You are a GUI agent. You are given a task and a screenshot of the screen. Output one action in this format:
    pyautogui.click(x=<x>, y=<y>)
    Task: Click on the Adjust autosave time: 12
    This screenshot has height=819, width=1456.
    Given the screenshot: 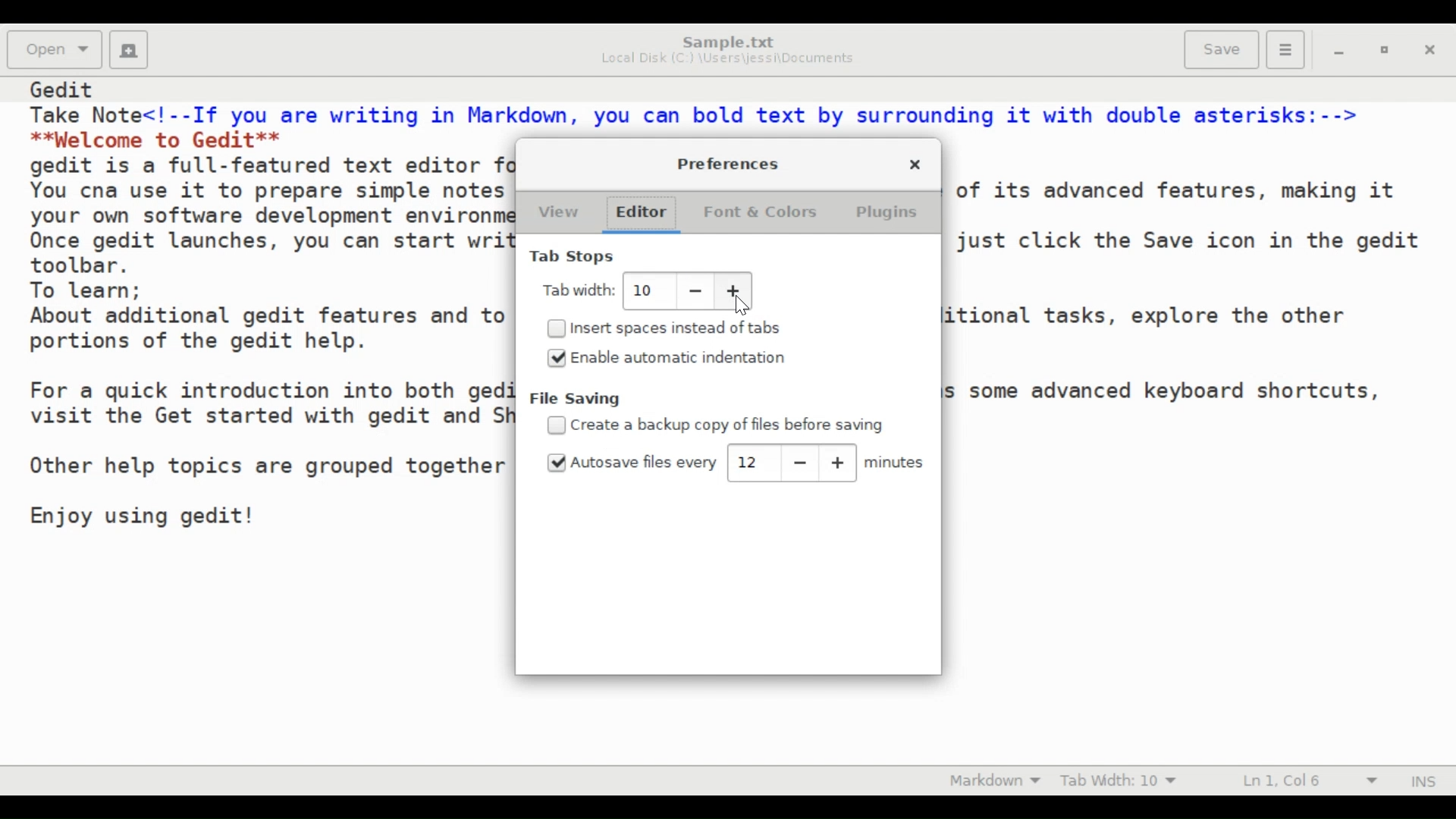 What is the action you would take?
    pyautogui.click(x=749, y=461)
    